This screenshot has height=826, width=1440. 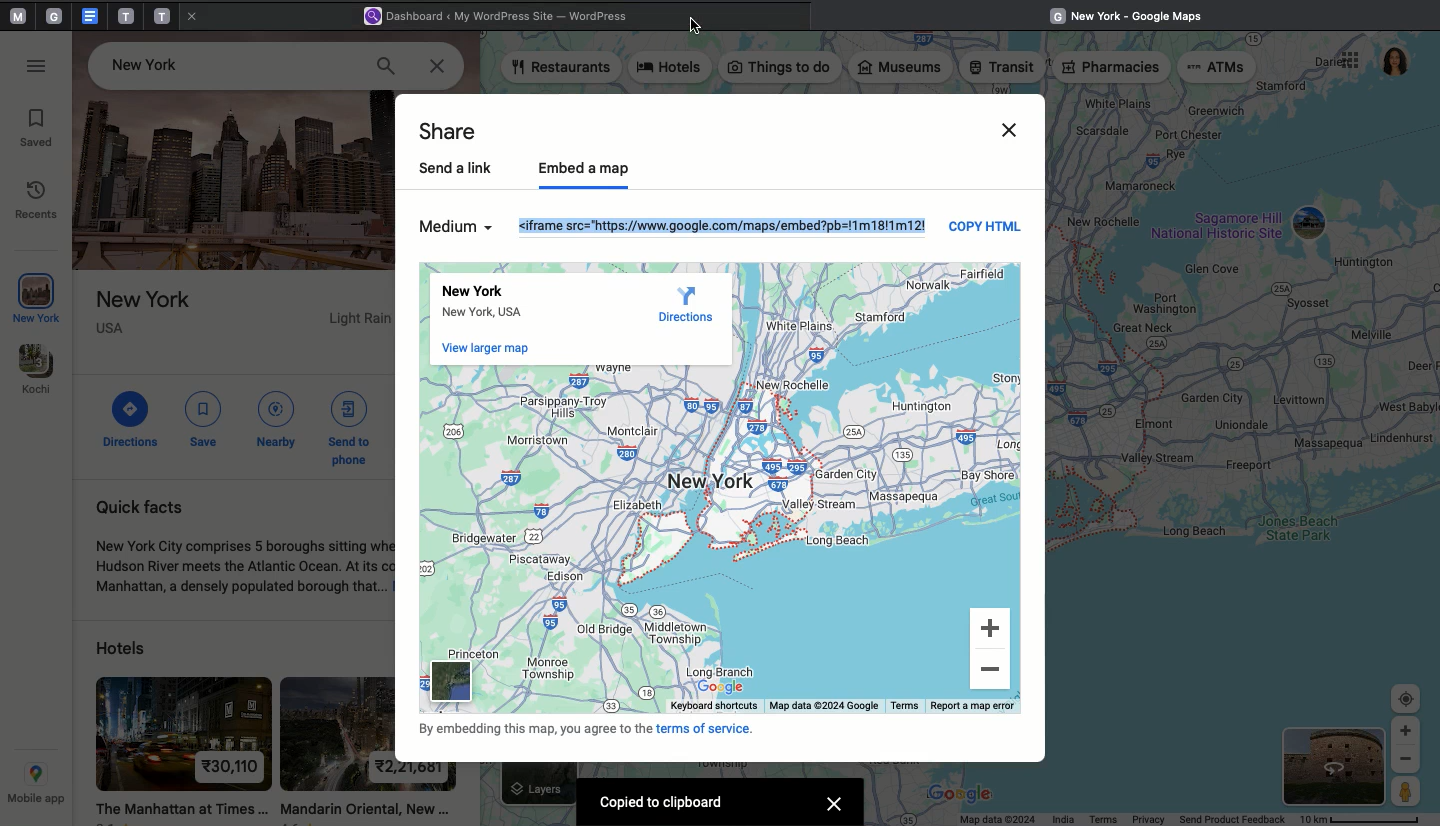 I want to click on google doc, so click(x=89, y=15).